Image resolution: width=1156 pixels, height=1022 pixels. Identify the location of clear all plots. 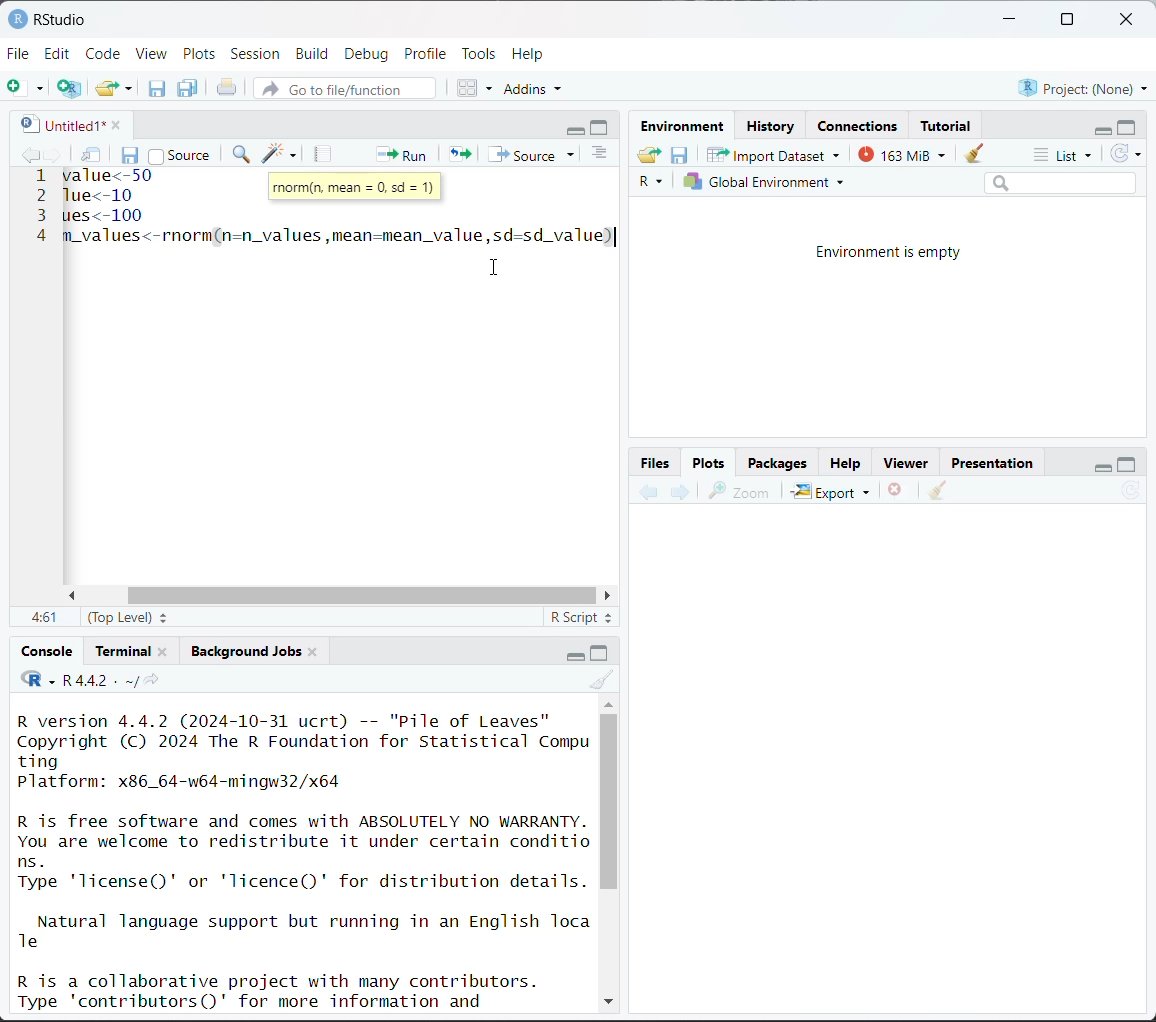
(938, 491).